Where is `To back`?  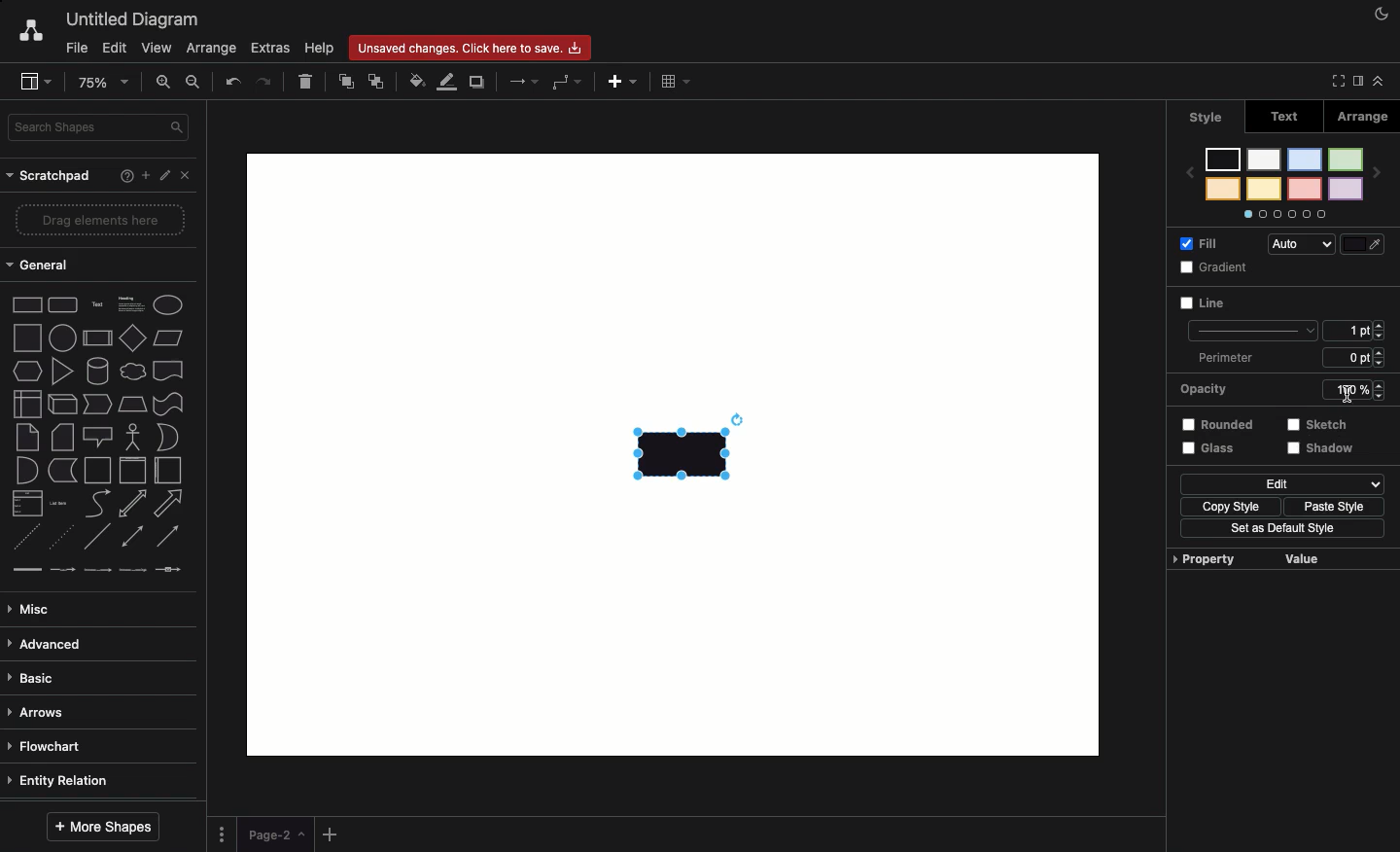 To back is located at coordinates (376, 83).